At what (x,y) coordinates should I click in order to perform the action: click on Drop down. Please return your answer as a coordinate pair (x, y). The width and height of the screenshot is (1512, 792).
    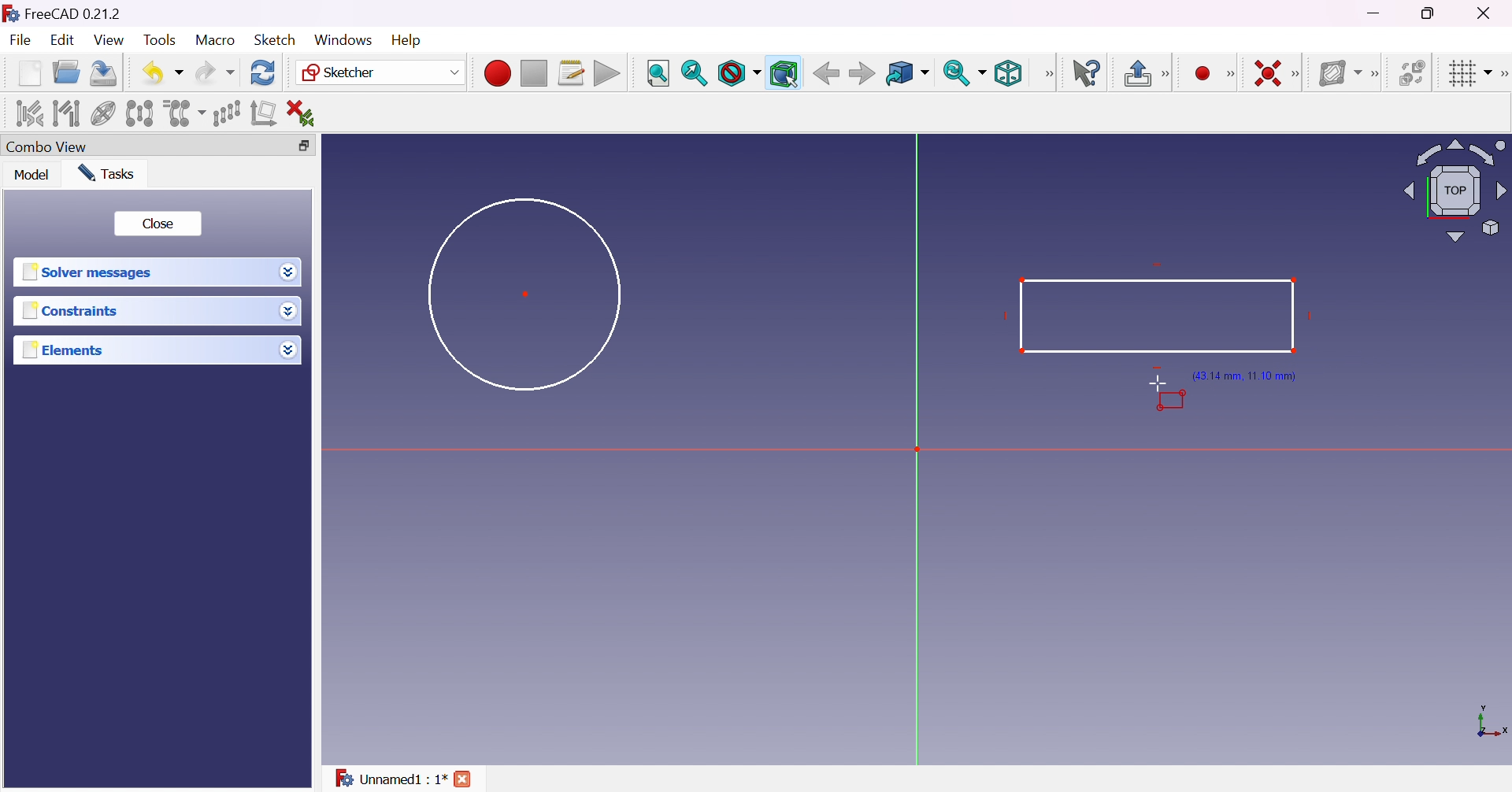
    Looking at the image, I should click on (289, 272).